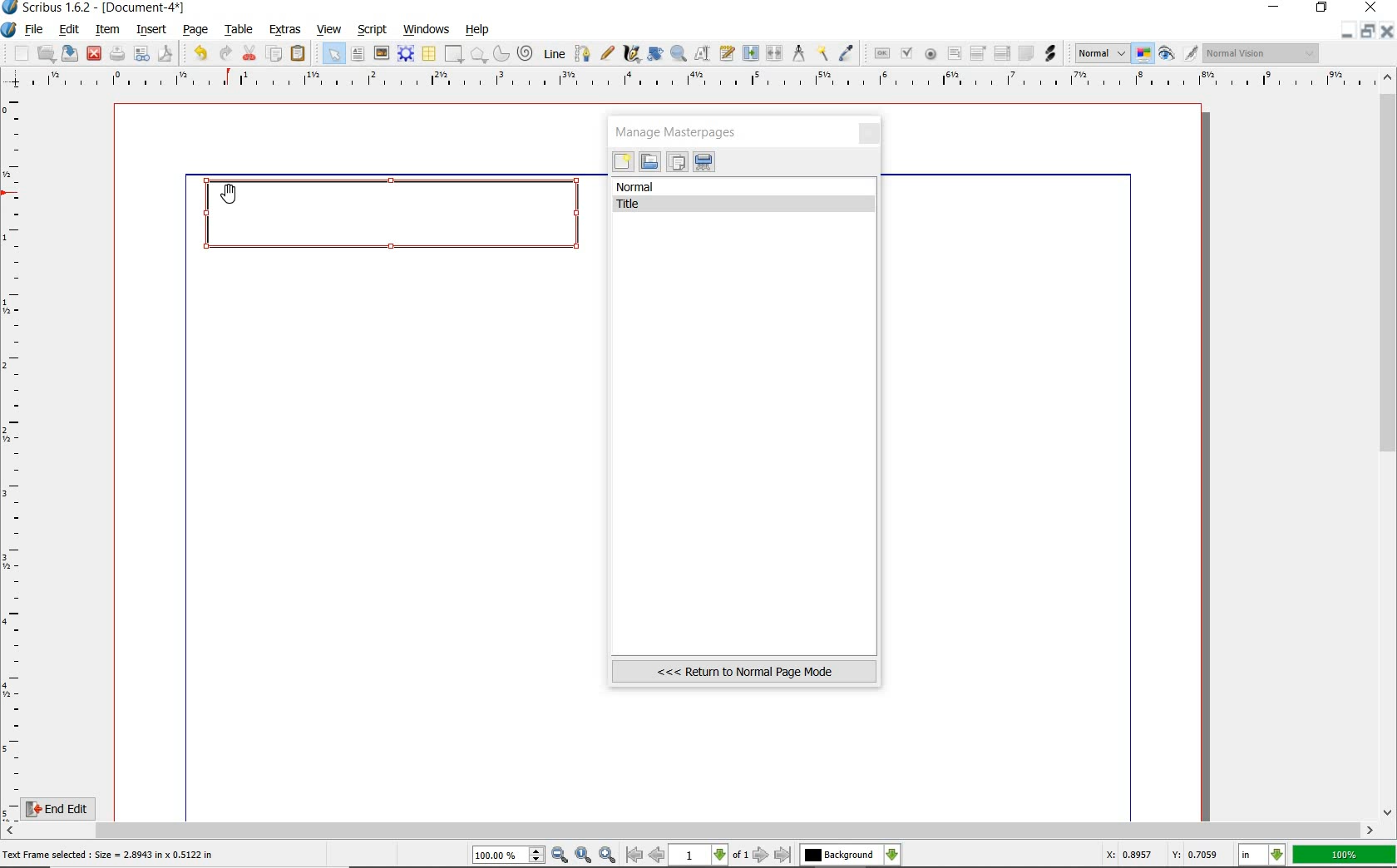 The height and width of the screenshot is (868, 1397). Describe the element at coordinates (382, 53) in the screenshot. I see `image frame` at that location.